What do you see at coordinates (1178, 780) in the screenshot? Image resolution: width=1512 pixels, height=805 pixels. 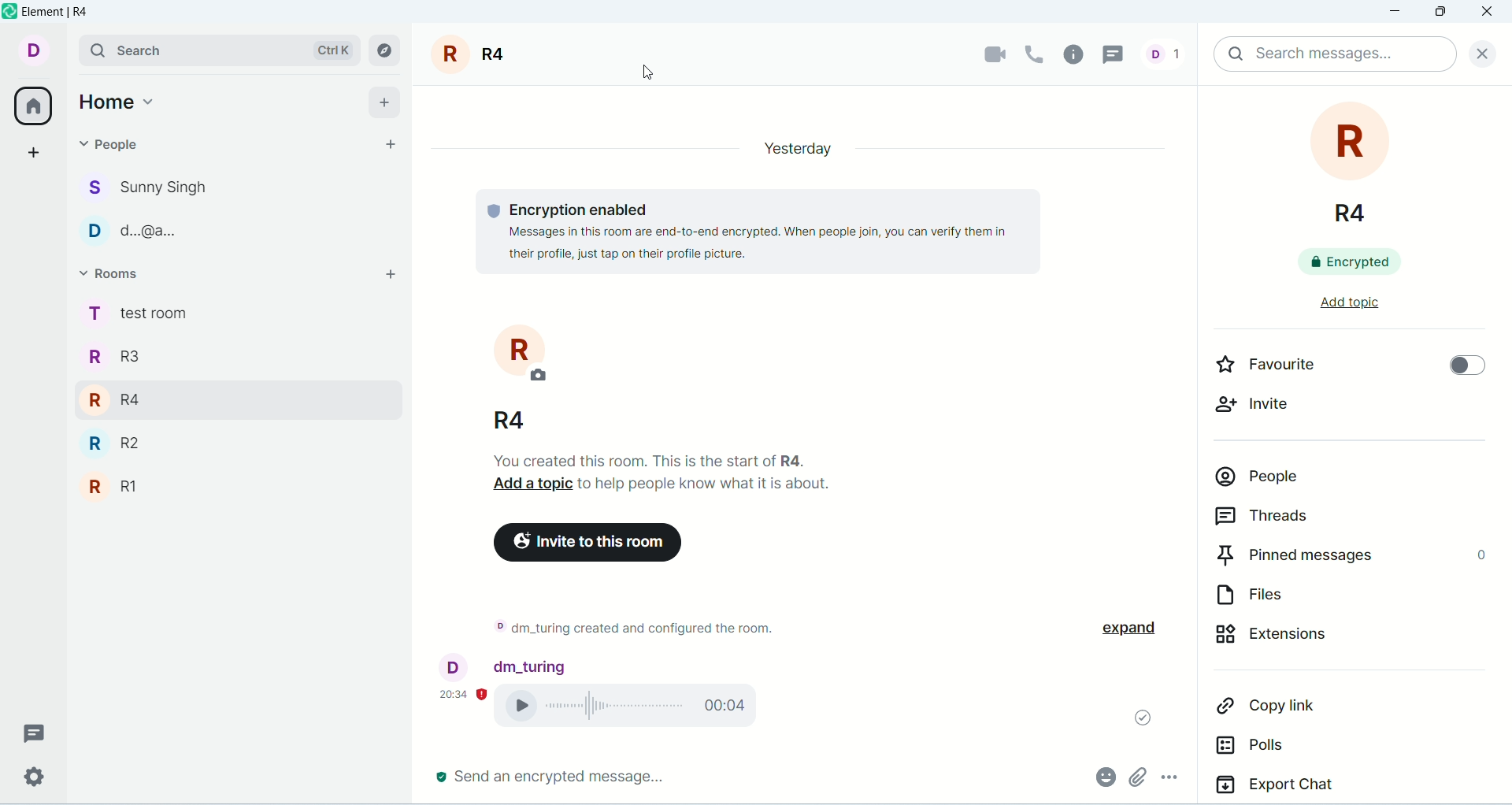 I see `options` at bounding box center [1178, 780].